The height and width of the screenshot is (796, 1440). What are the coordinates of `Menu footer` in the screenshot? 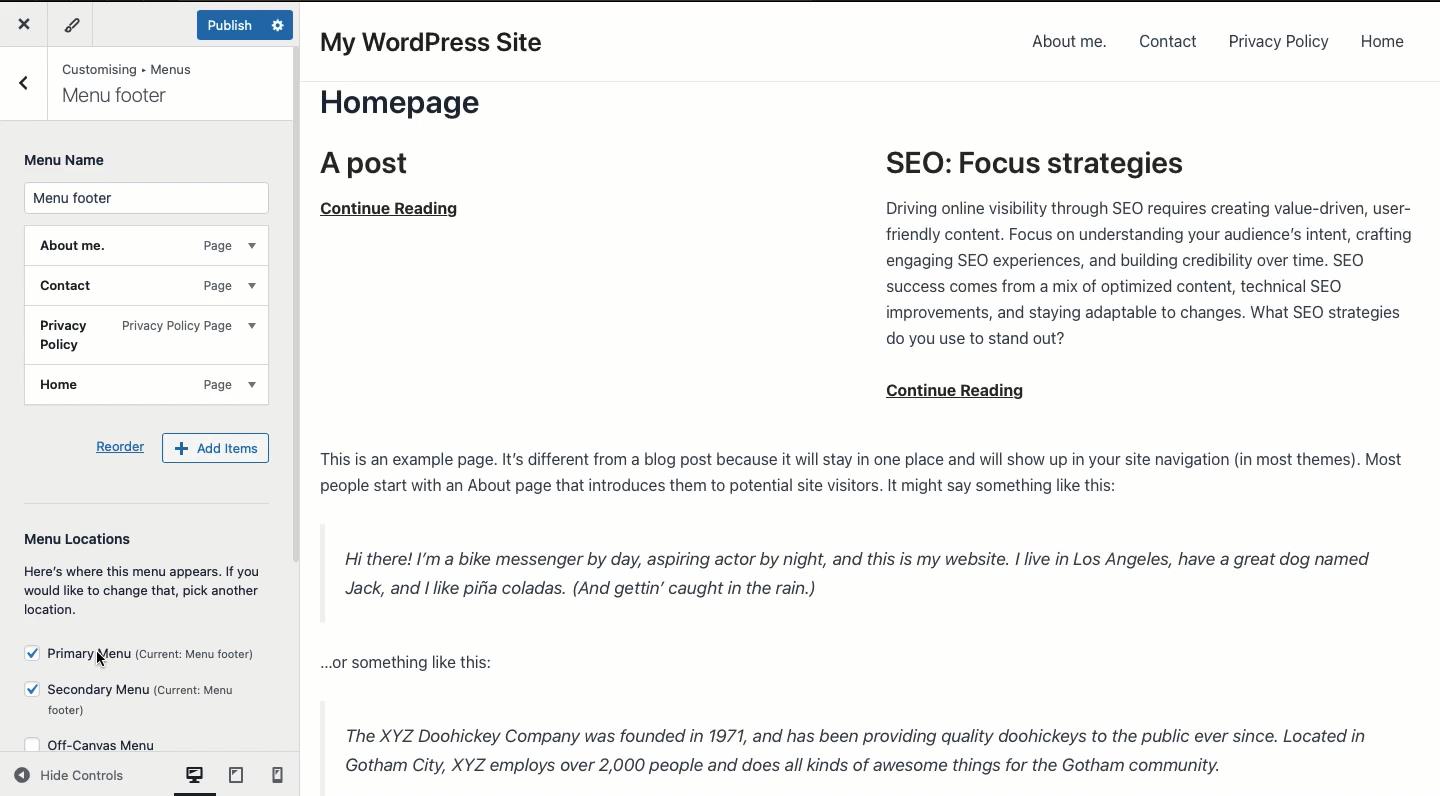 It's located at (146, 199).